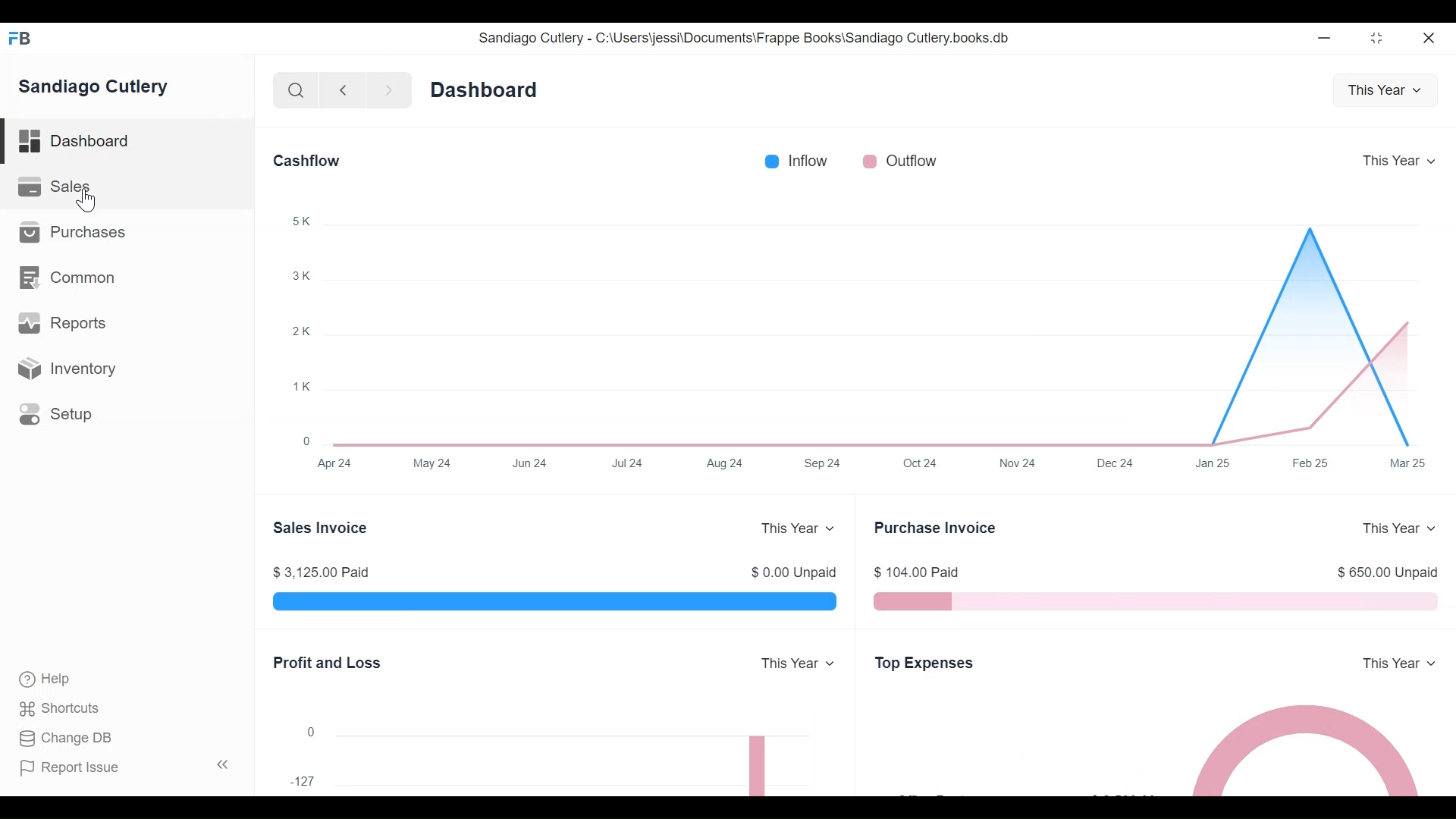 Image resolution: width=1456 pixels, height=819 pixels. Describe the element at coordinates (902, 160) in the screenshot. I see `Outflow` at that location.